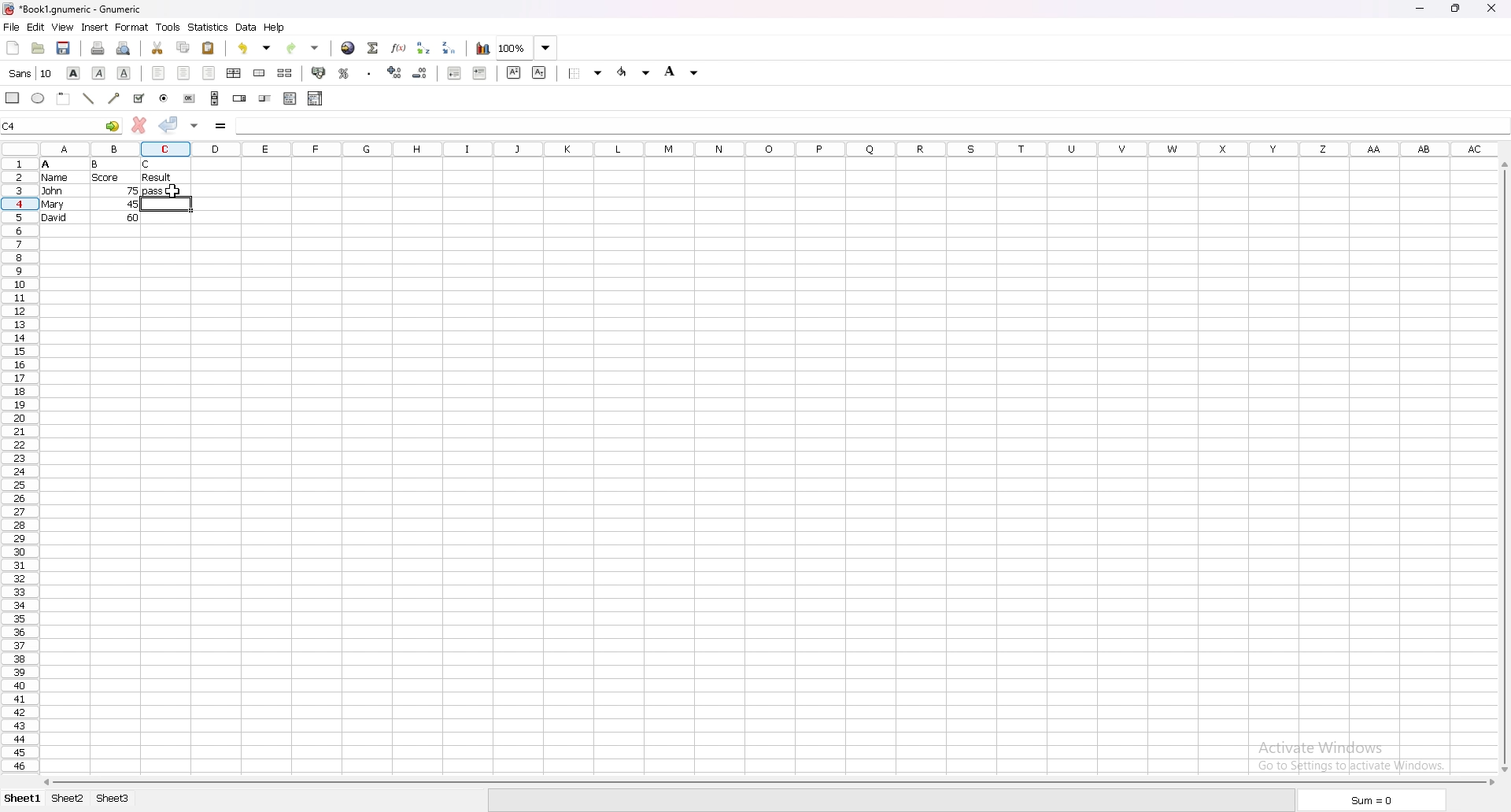  I want to click on format, so click(132, 27).